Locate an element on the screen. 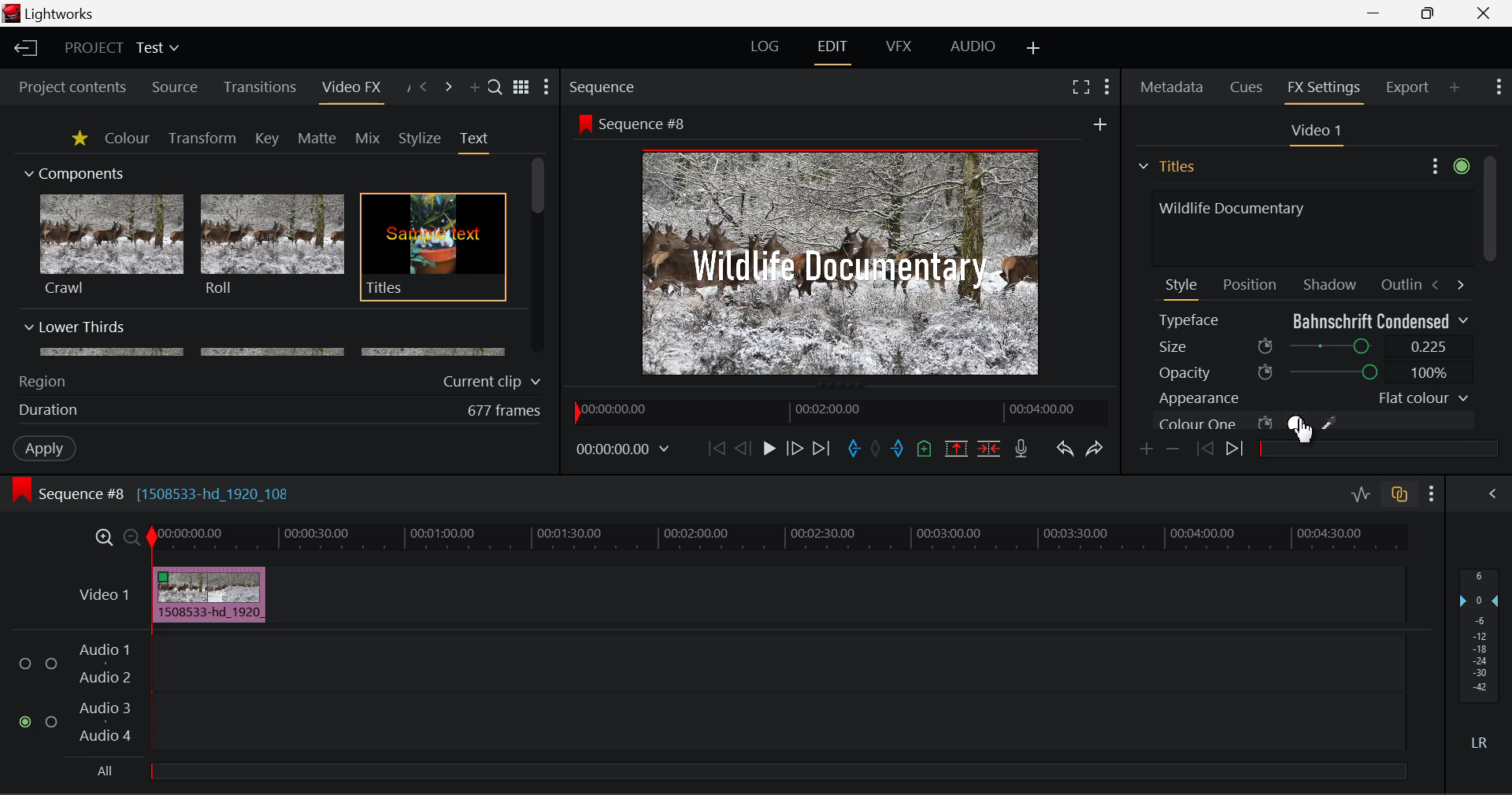  Add keyframe is located at coordinates (1148, 450).